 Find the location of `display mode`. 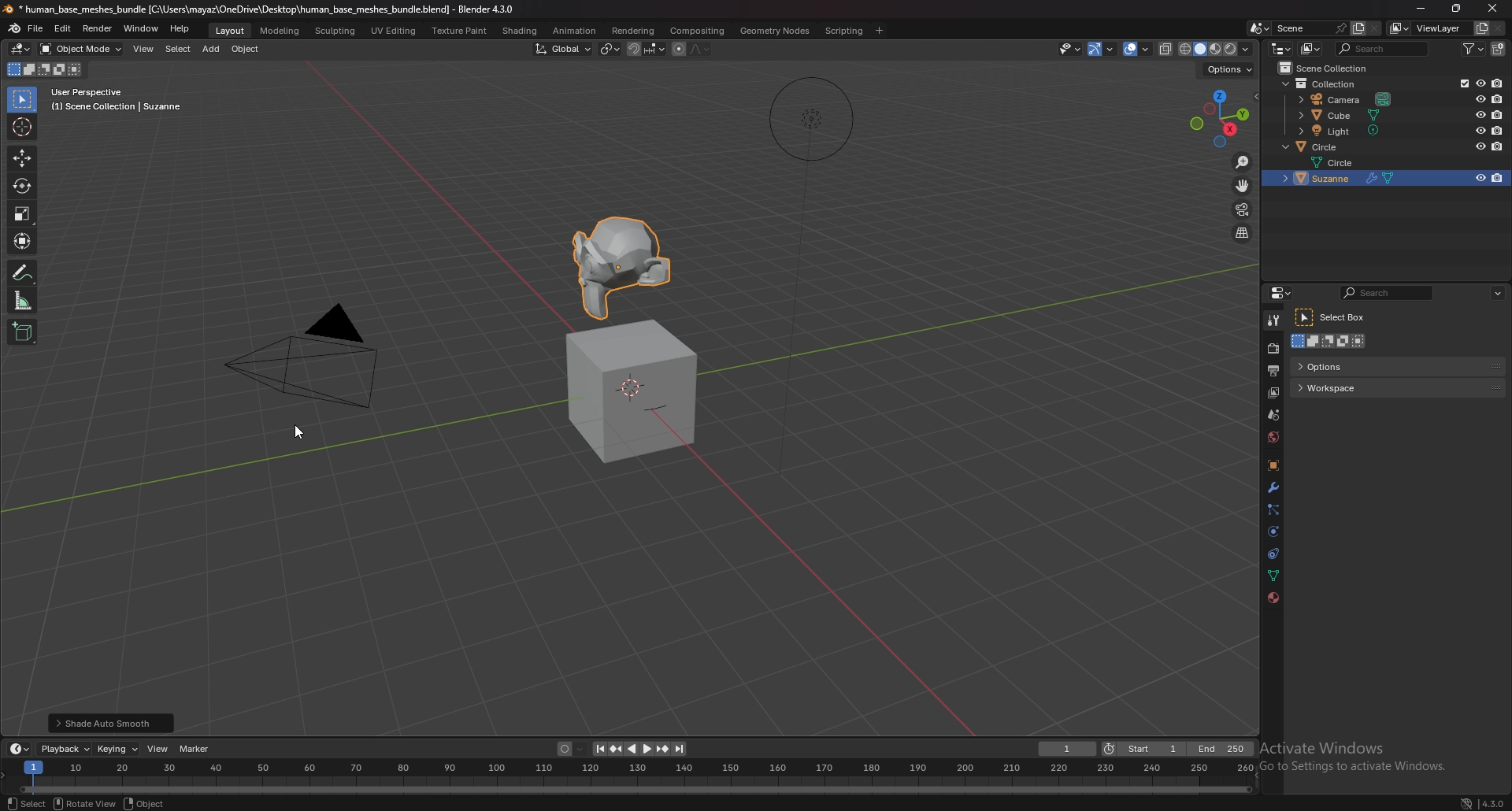

display mode is located at coordinates (1310, 49).